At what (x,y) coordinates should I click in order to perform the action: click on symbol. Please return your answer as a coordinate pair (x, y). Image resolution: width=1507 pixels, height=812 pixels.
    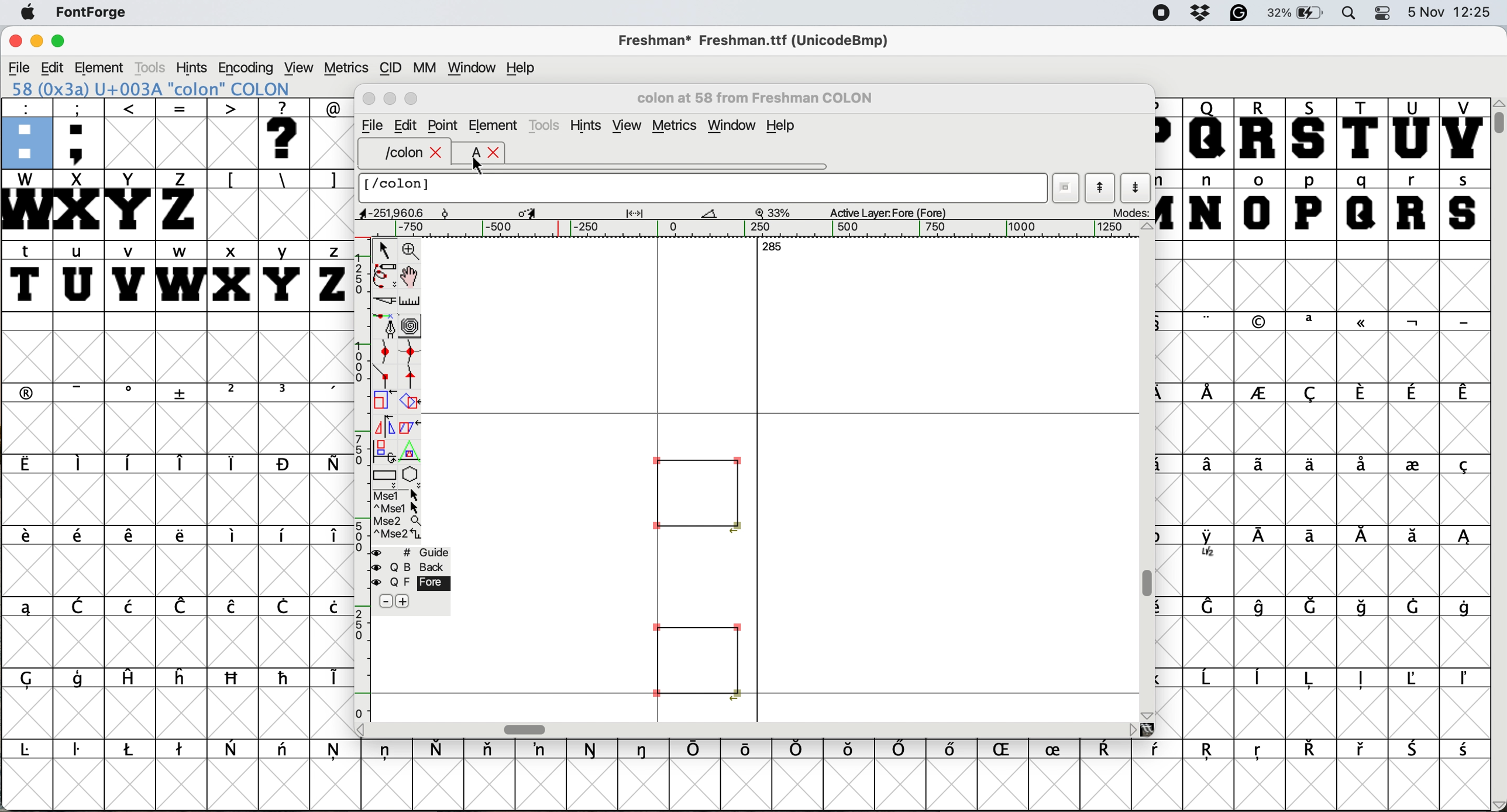
    Looking at the image, I should click on (1259, 394).